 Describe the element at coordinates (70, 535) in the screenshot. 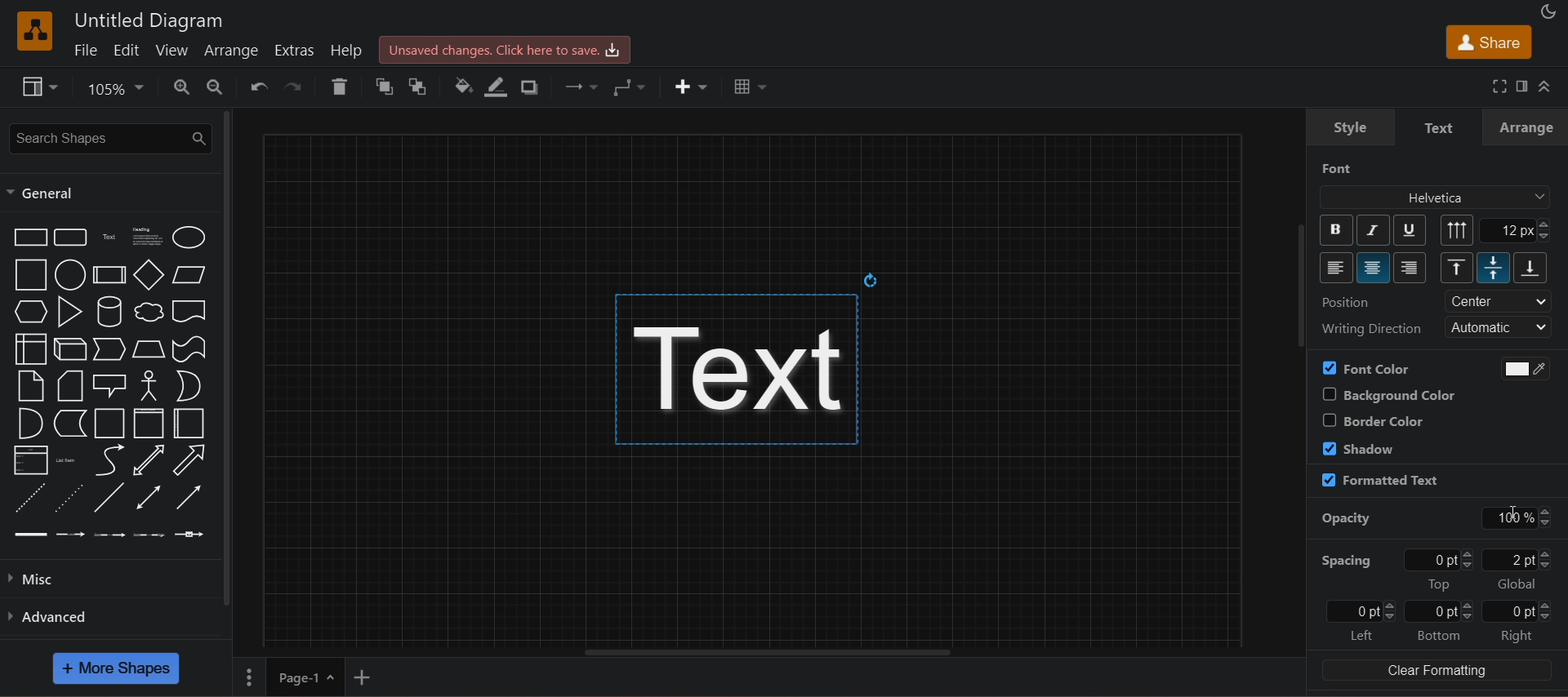

I see `connector with label` at that location.